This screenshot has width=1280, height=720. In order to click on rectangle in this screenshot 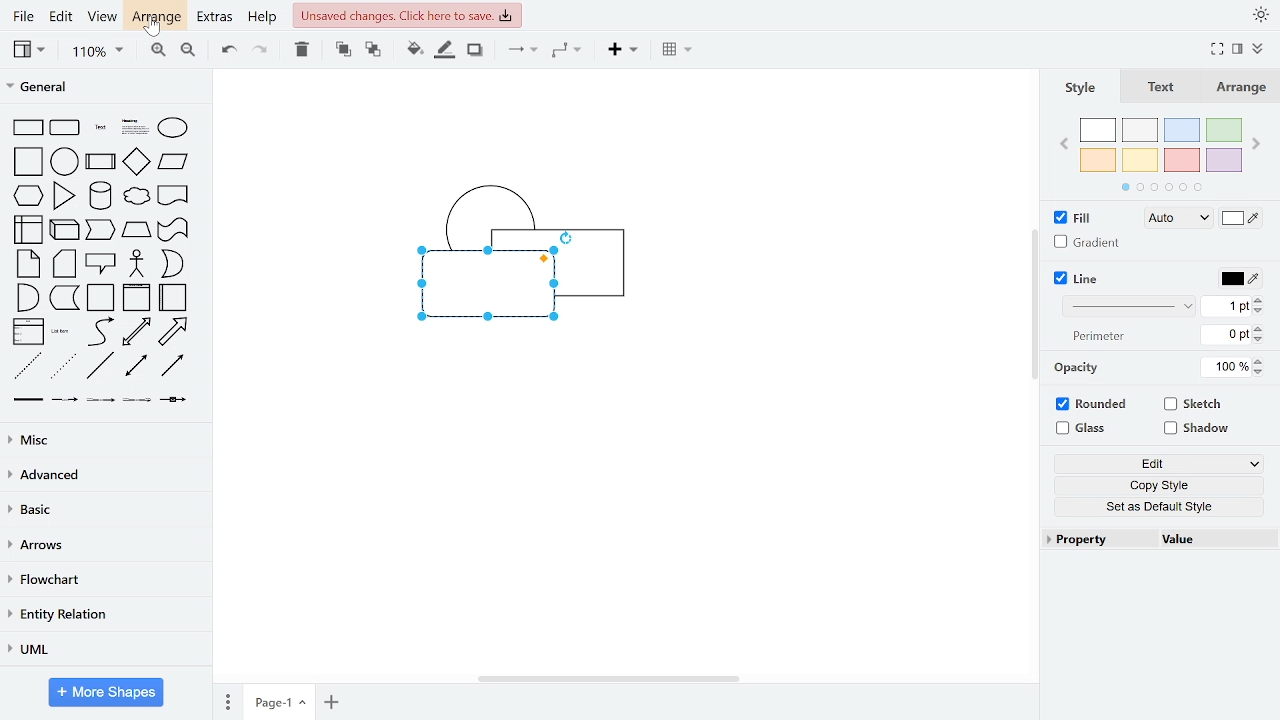, I will do `click(27, 128)`.